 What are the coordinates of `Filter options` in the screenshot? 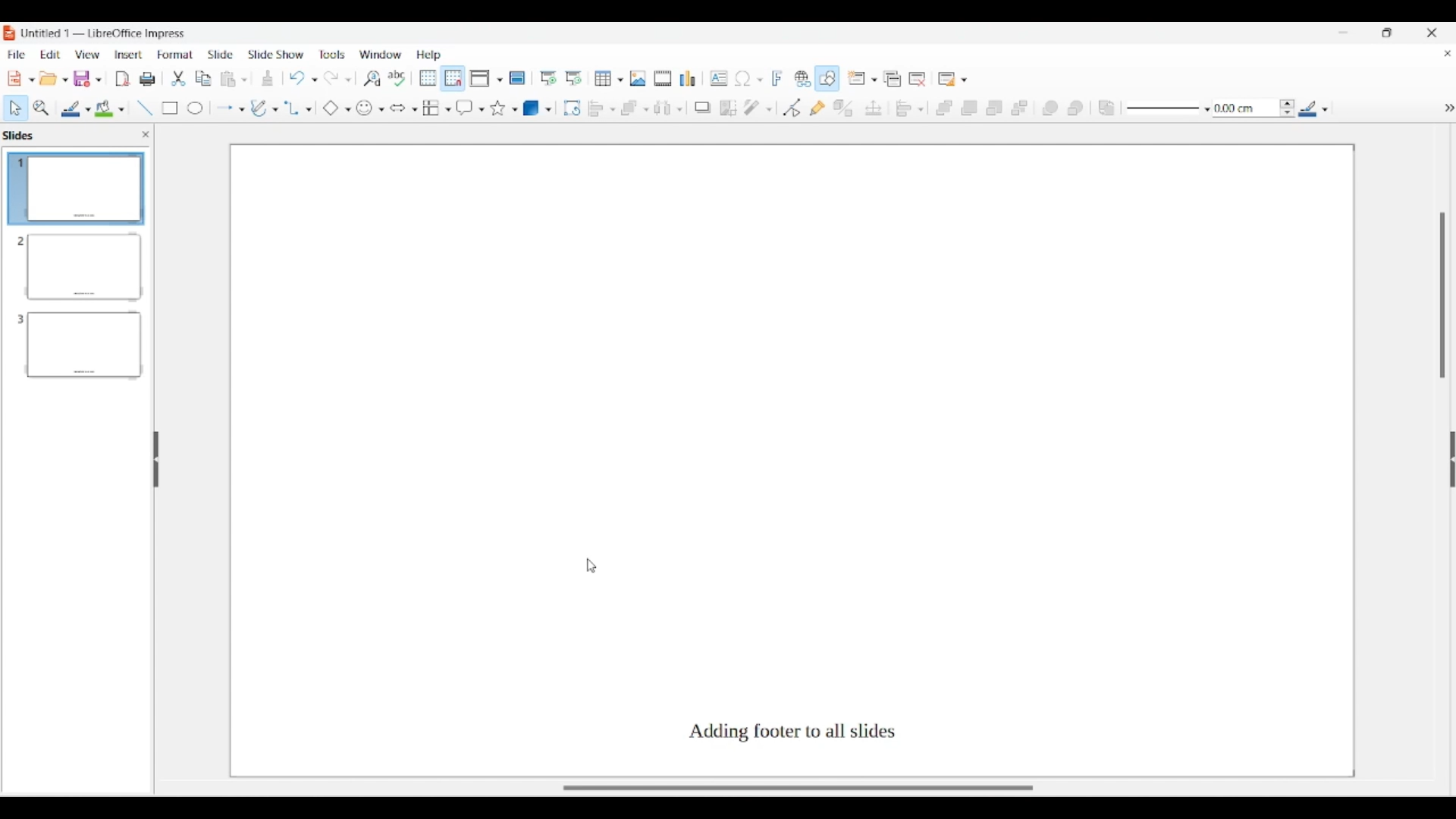 It's located at (758, 108).